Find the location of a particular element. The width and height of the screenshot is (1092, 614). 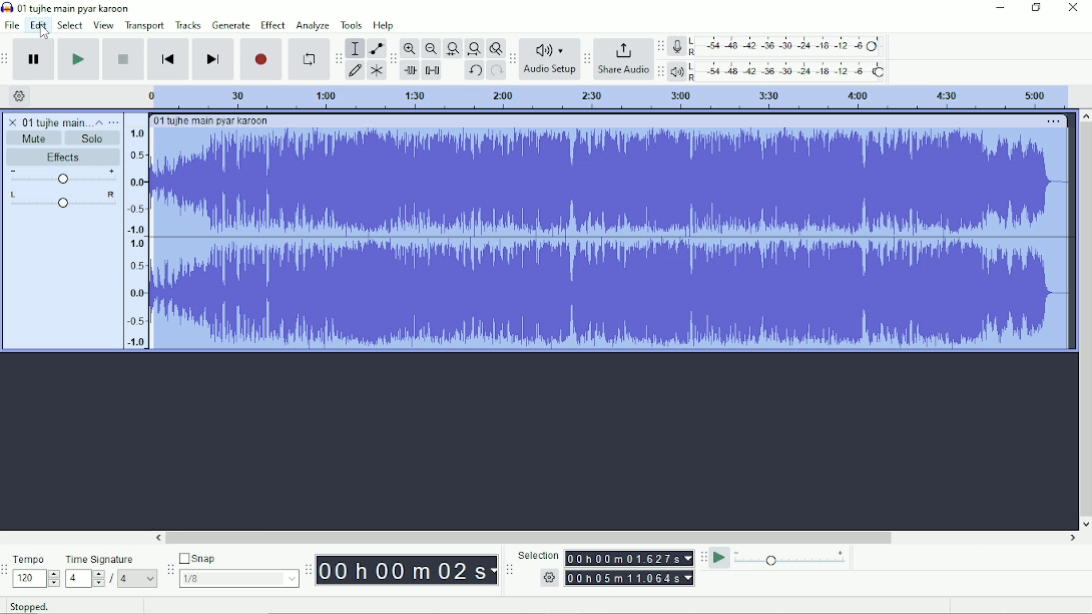

Audacity edit toolbar is located at coordinates (392, 59).